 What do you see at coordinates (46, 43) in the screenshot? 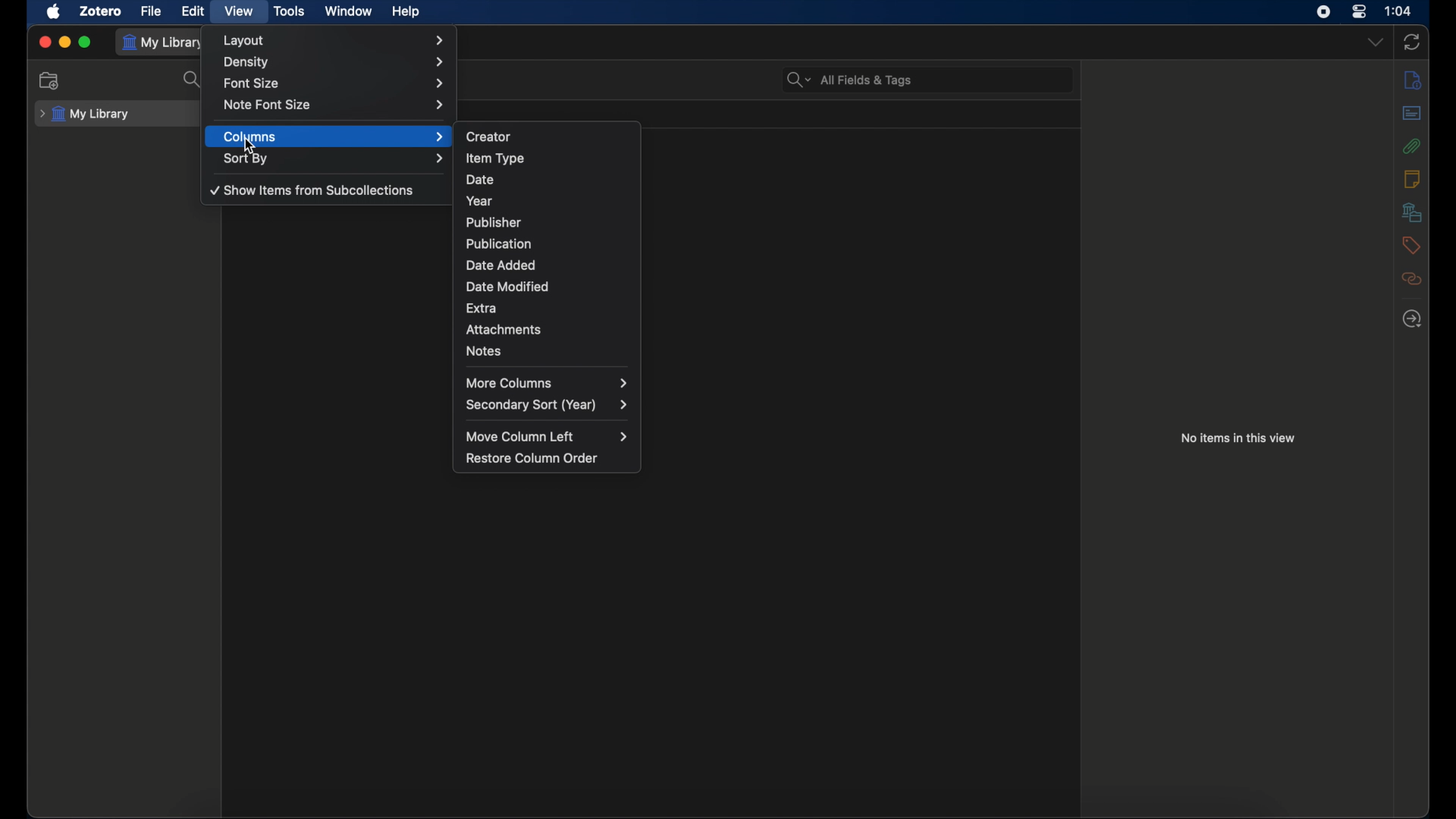
I see `close` at bounding box center [46, 43].